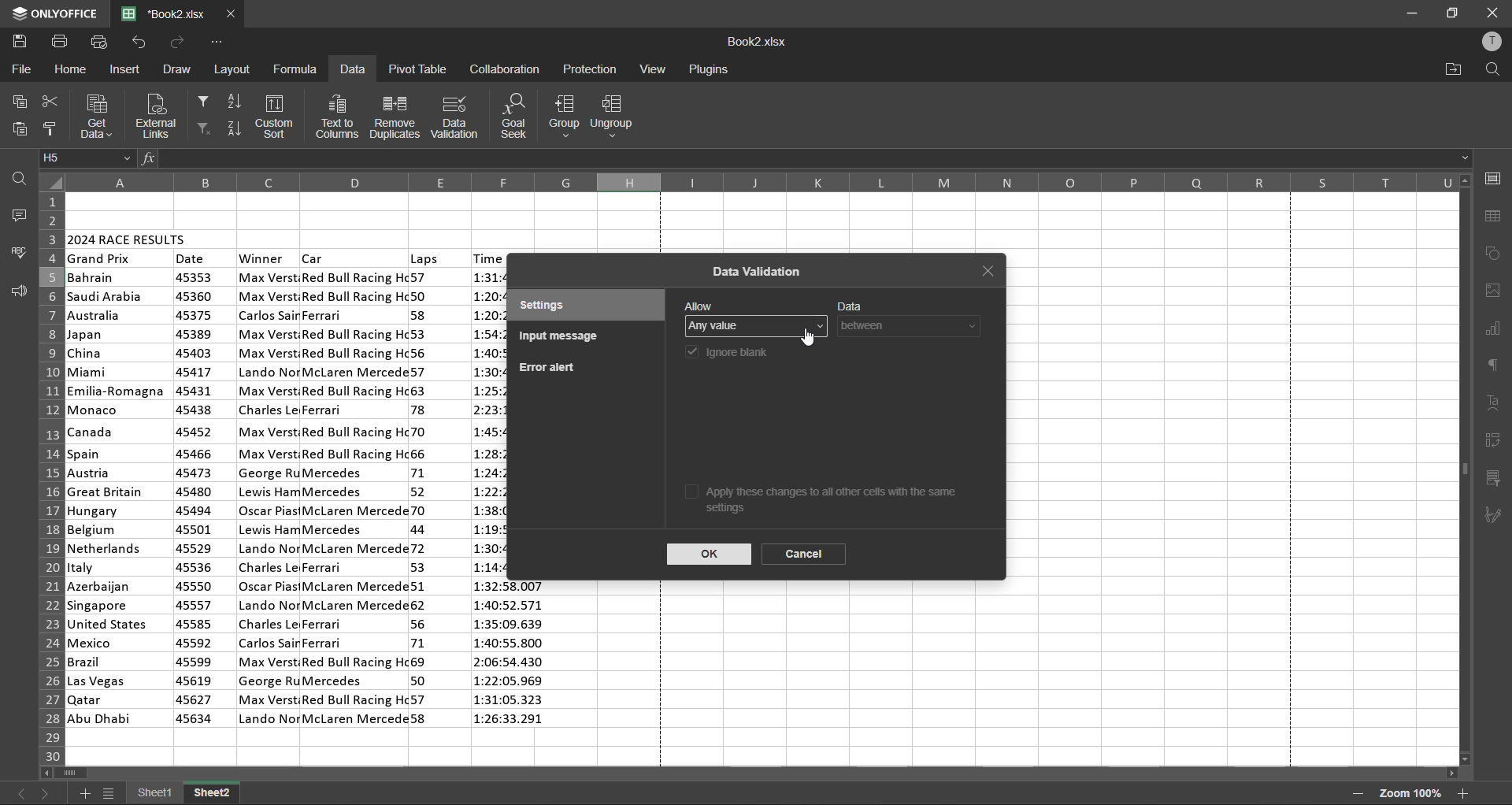  I want to click on filter, so click(202, 99).